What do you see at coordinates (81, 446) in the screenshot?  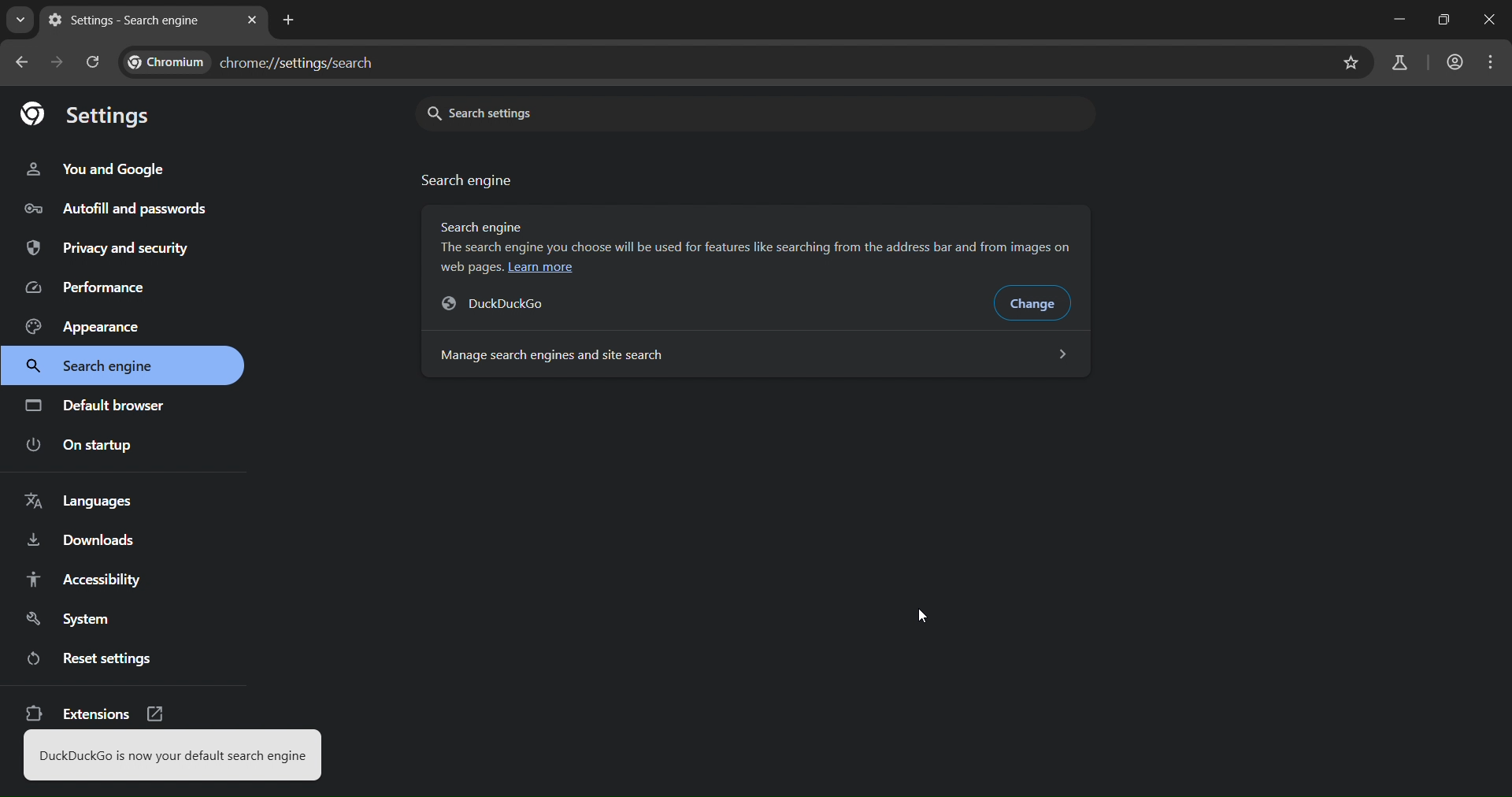 I see `on startup` at bounding box center [81, 446].